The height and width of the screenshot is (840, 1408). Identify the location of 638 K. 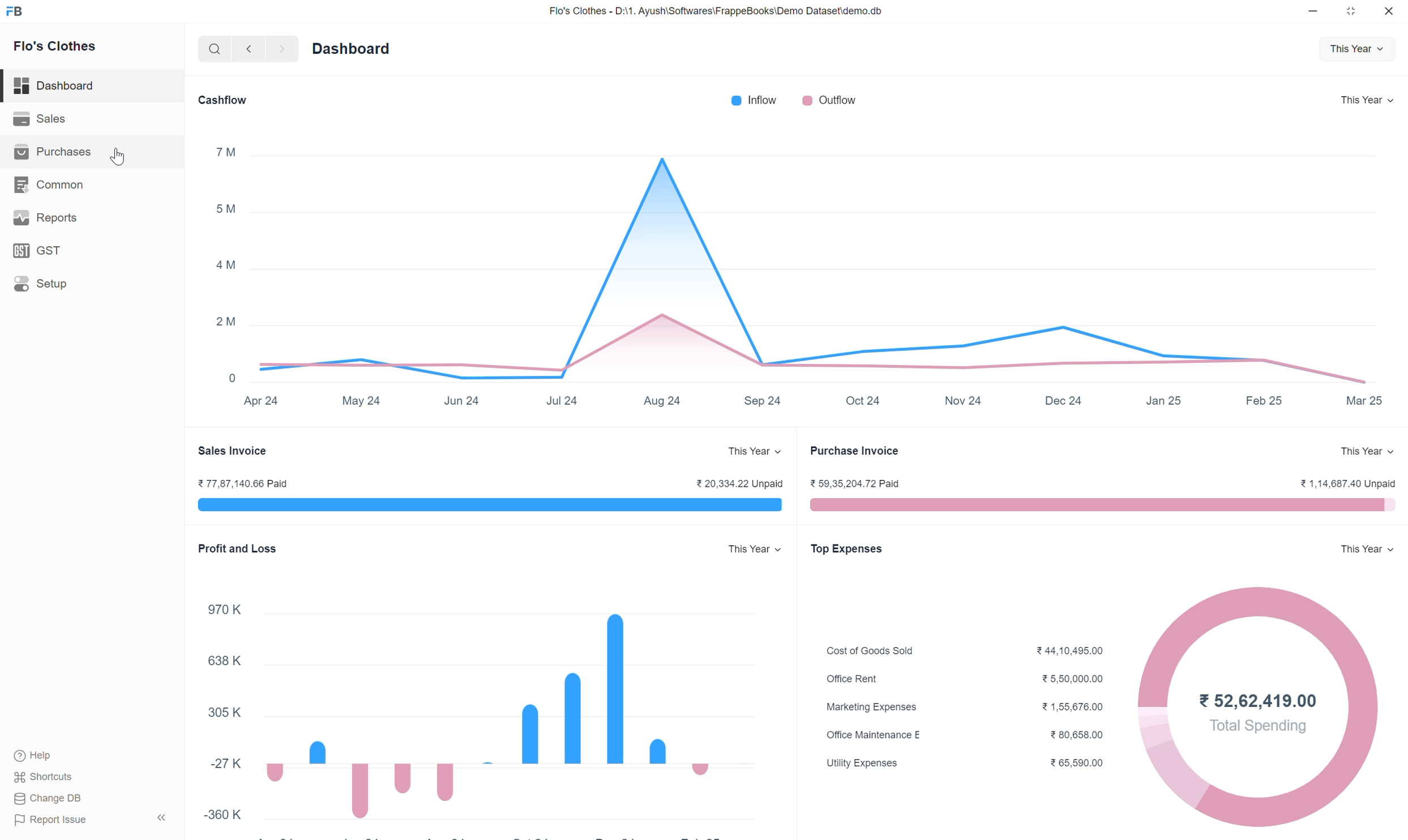
(225, 660).